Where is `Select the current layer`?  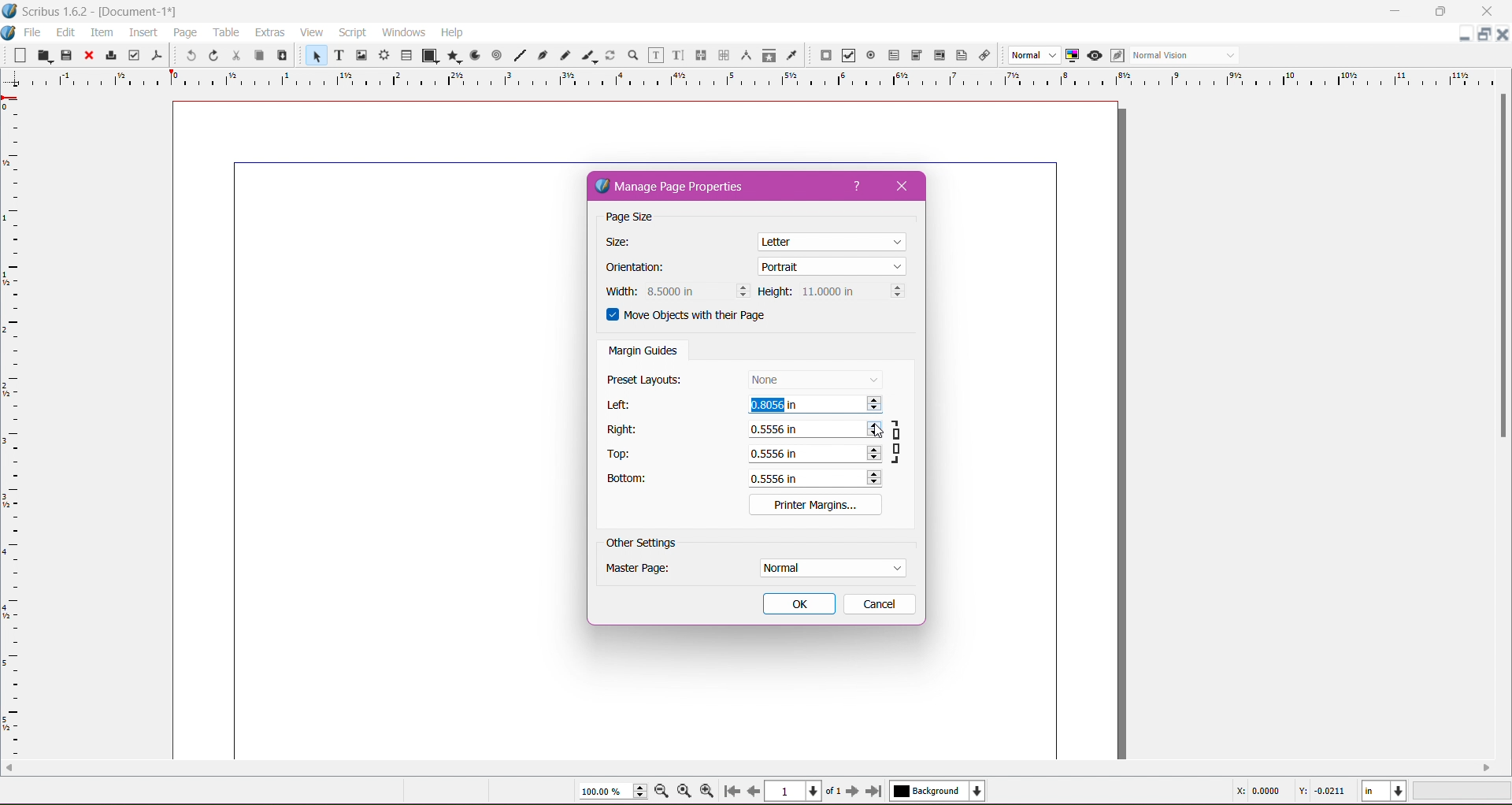 Select the current layer is located at coordinates (935, 792).